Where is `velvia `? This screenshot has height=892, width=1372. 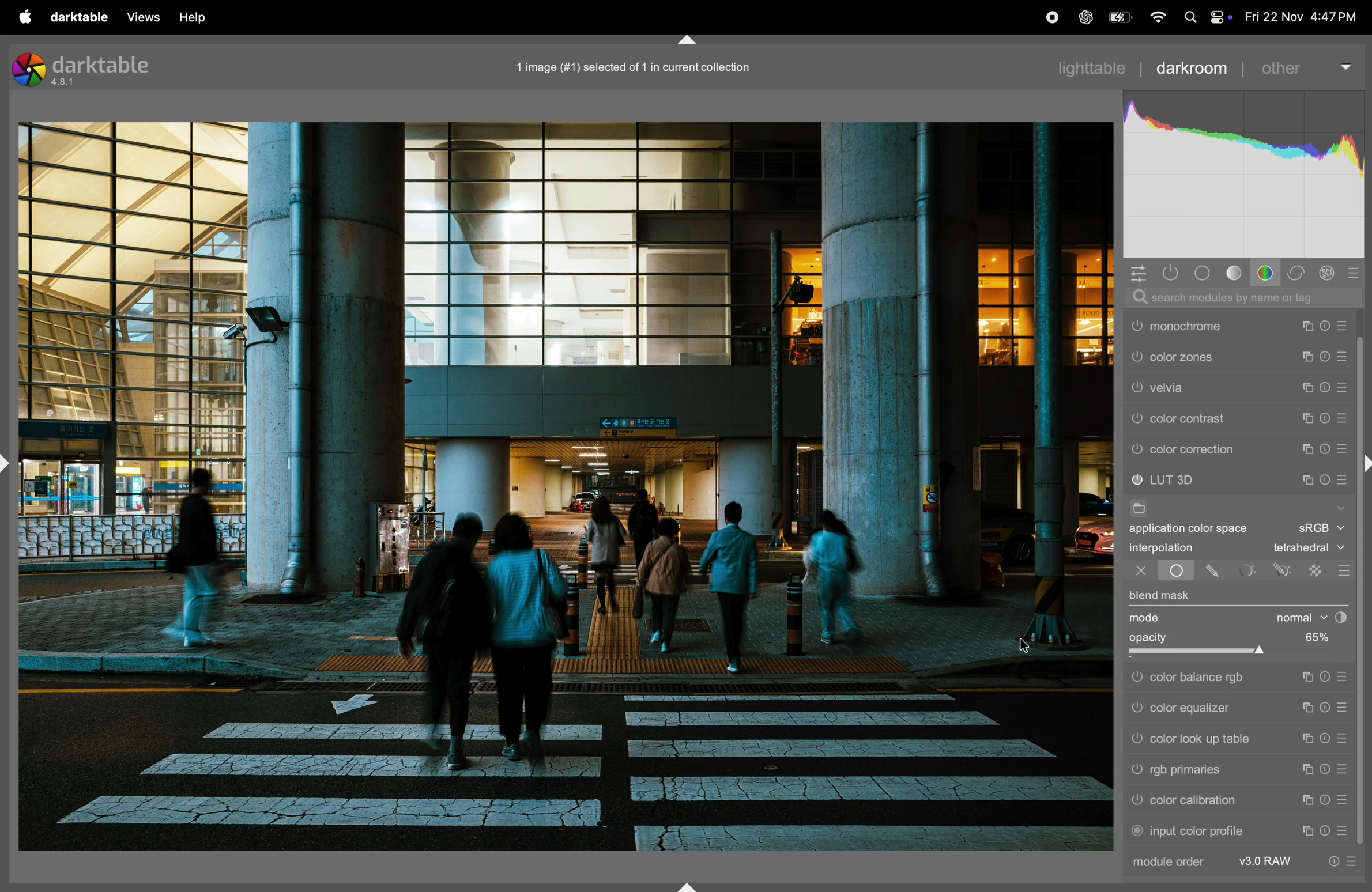 velvia  is located at coordinates (1222, 415).